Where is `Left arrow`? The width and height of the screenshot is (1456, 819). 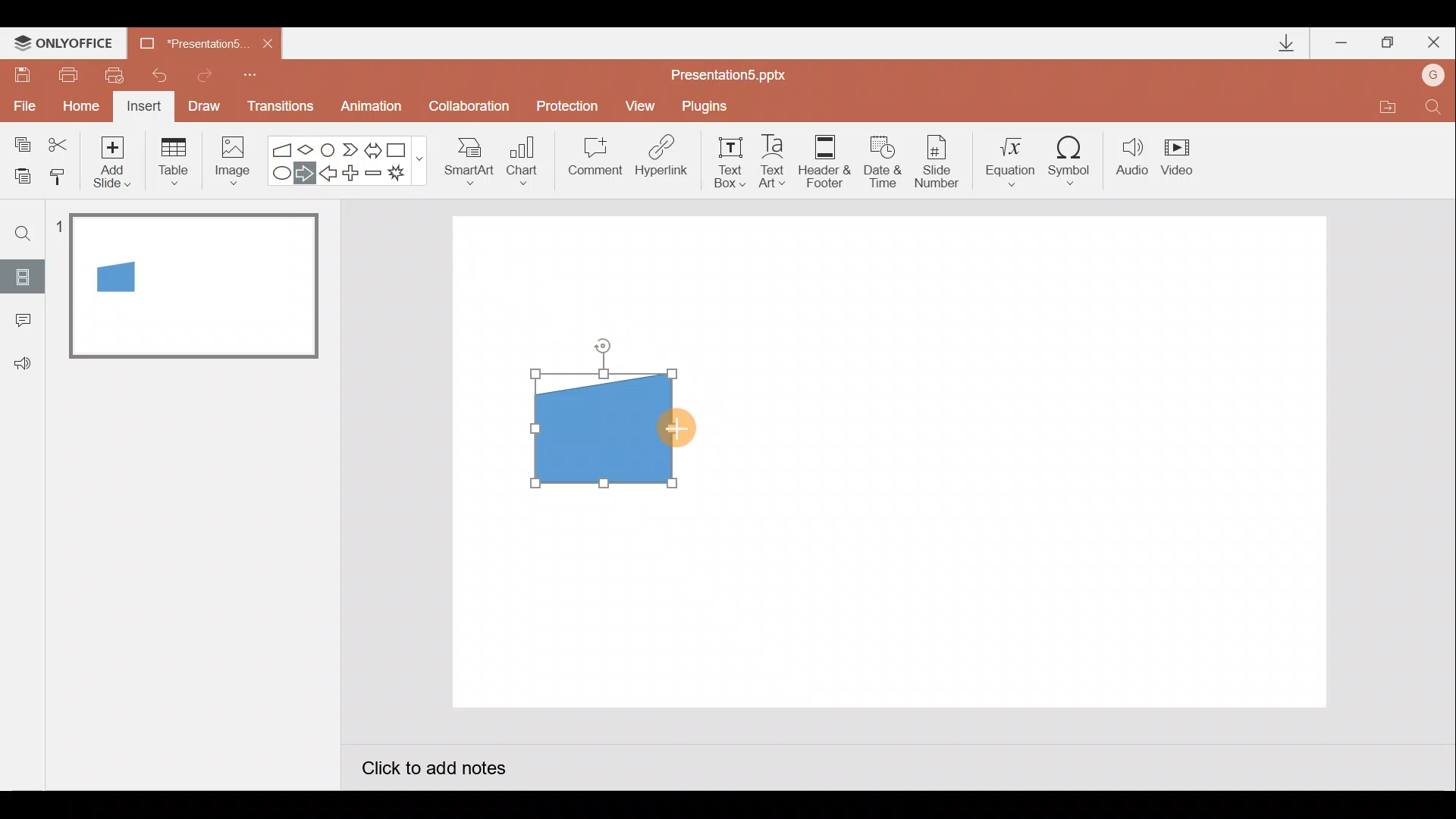 Left arrow is located at coordinates (329, 175).